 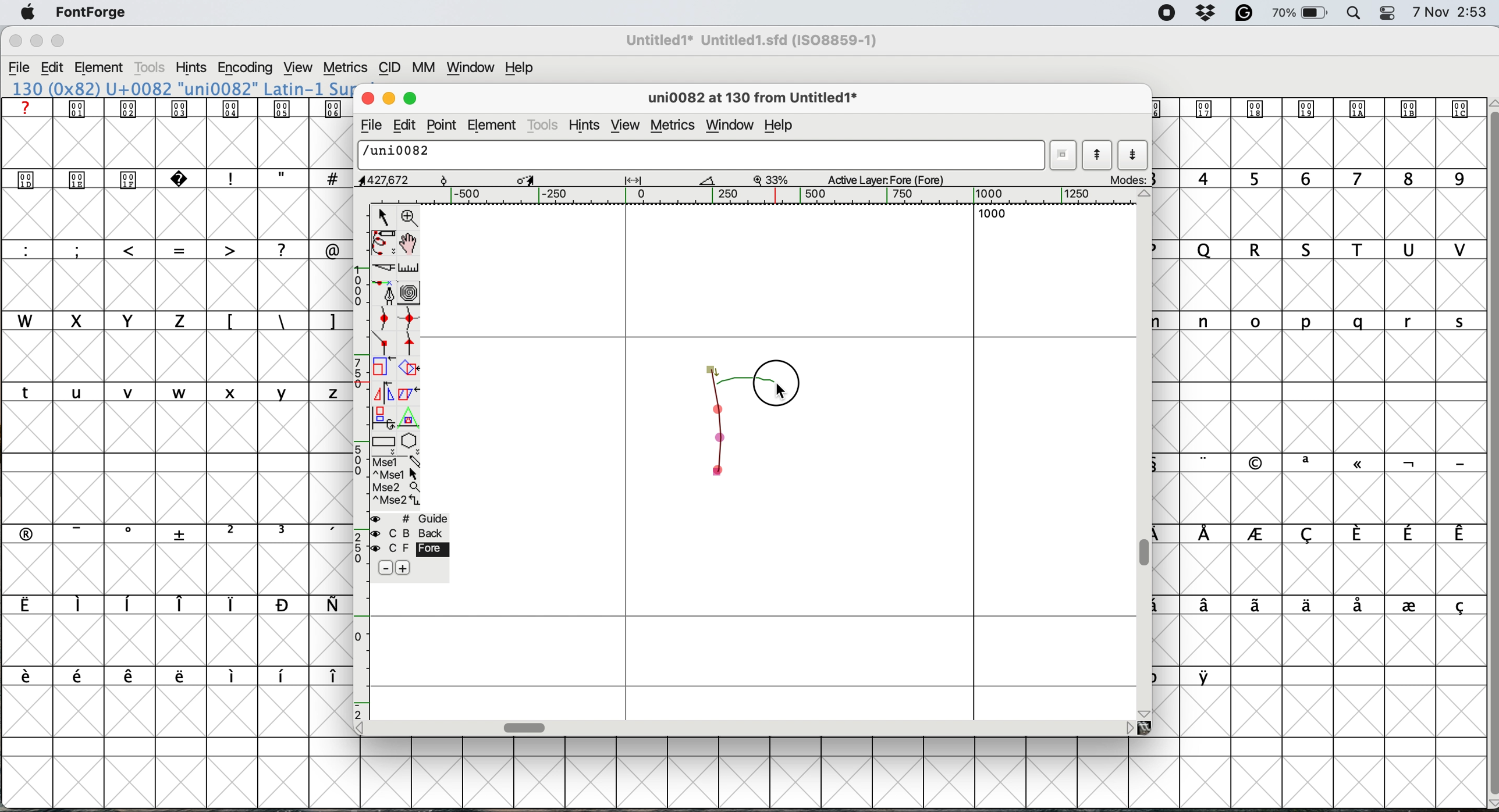 I want to click on special icons, so click(x=106, y=177).